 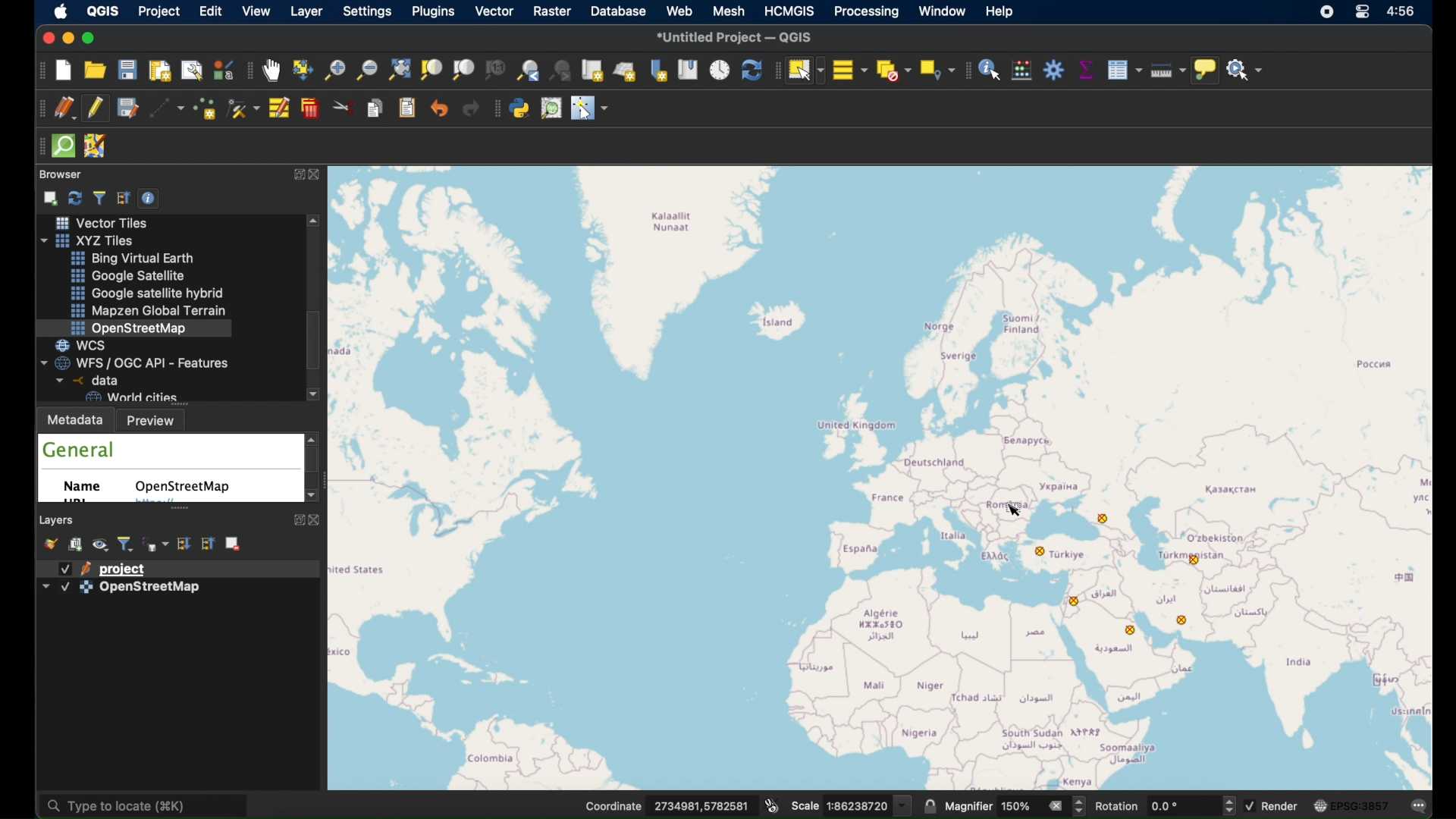 What do you see at coordinates (80, 450) in the screenshot?
I see `general` at bounding box center [80, 450].